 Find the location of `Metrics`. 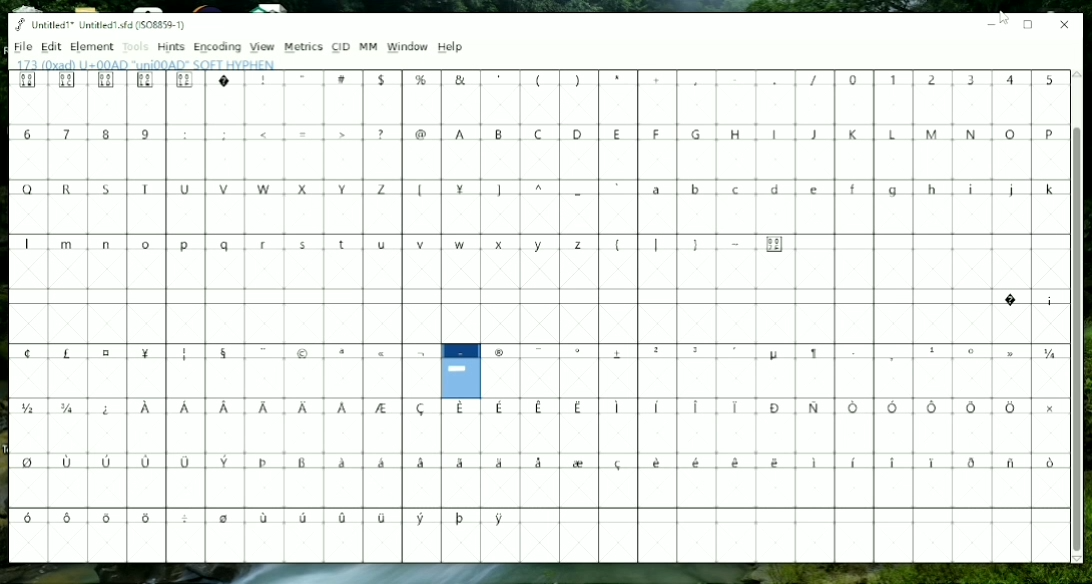

Metrics is located at coordinates (303, 47).